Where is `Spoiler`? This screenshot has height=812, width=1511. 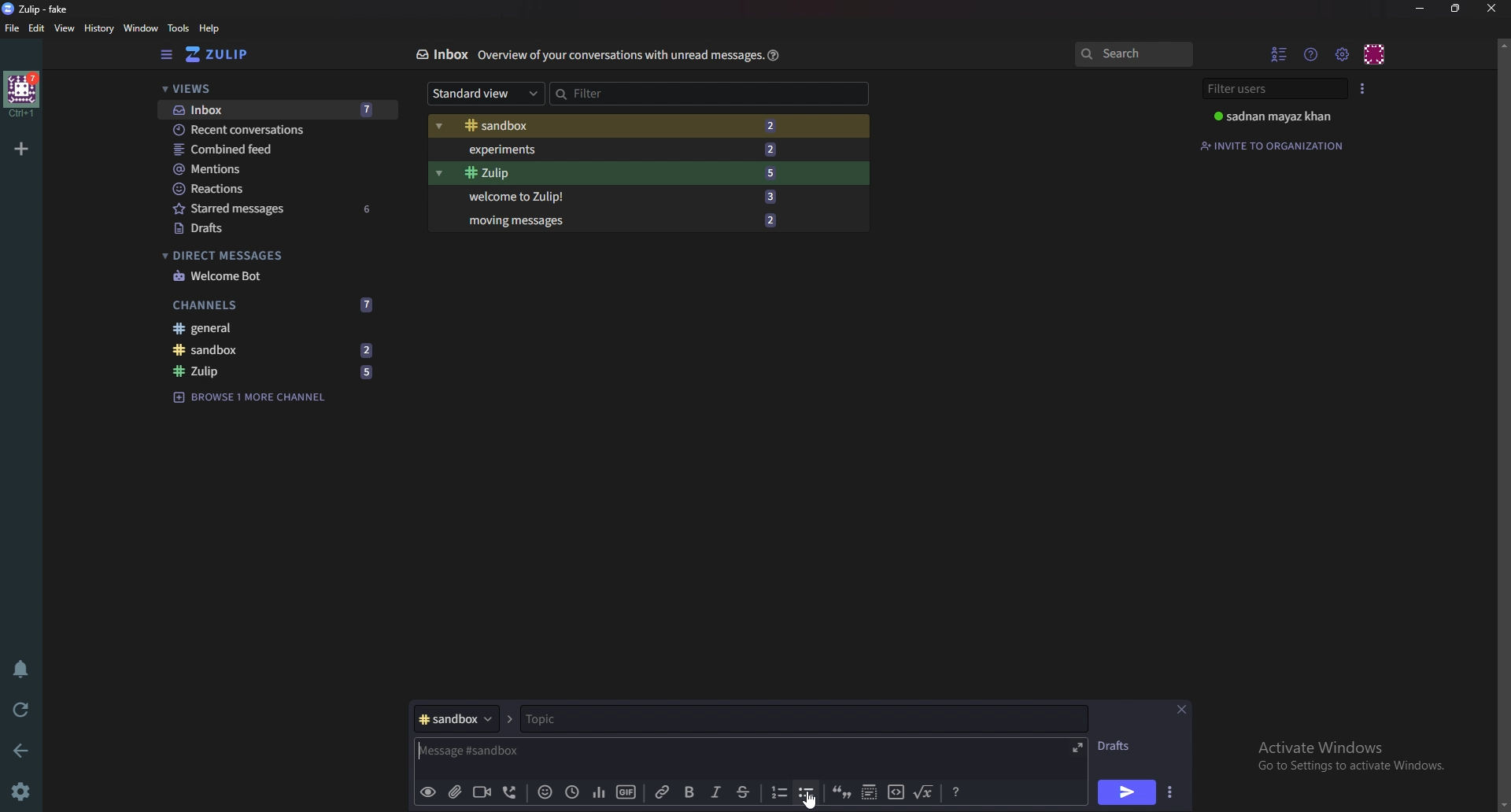
Spoiler is located at coordinates (870, 791).